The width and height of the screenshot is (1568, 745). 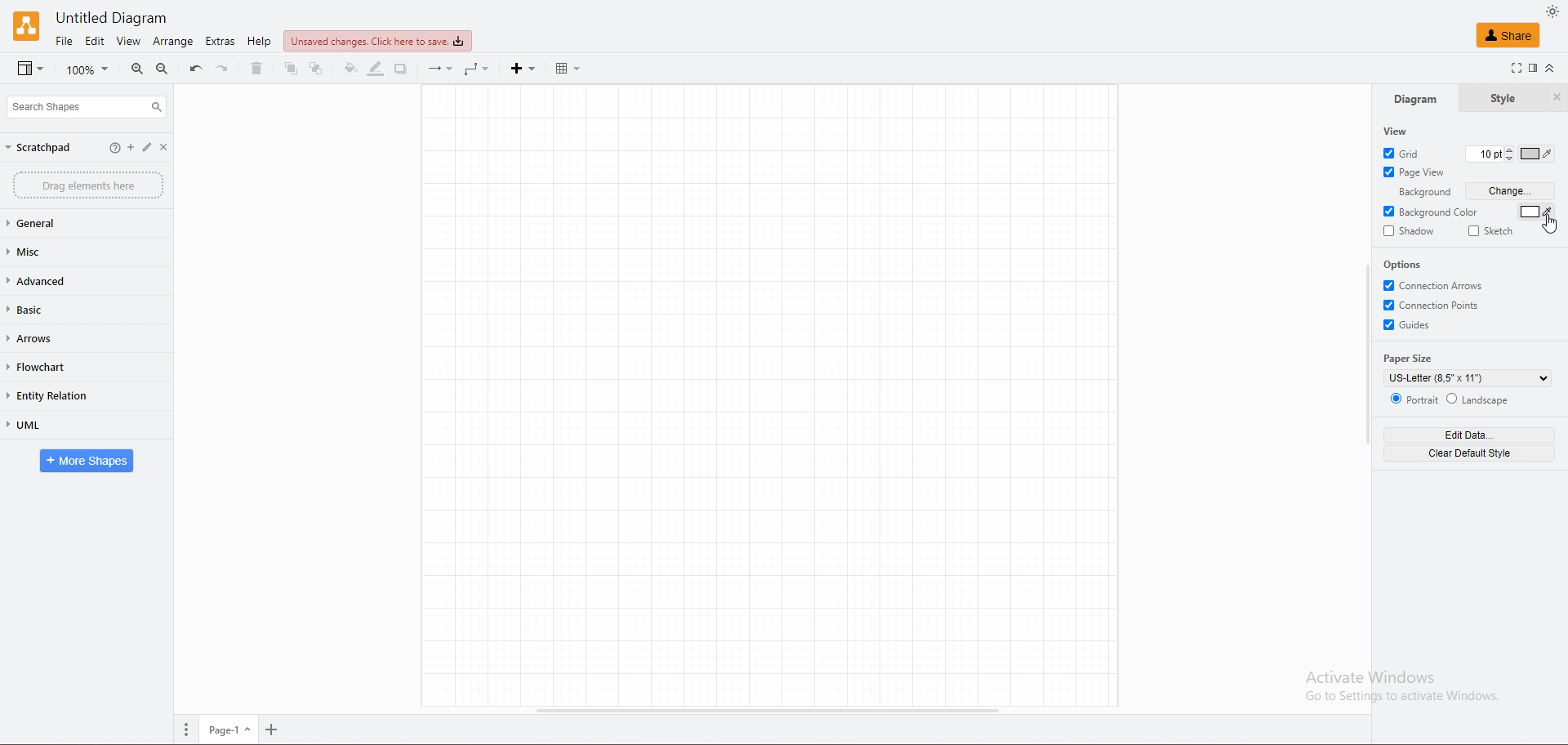 I want to click on delete, so click(x=256, y=68).